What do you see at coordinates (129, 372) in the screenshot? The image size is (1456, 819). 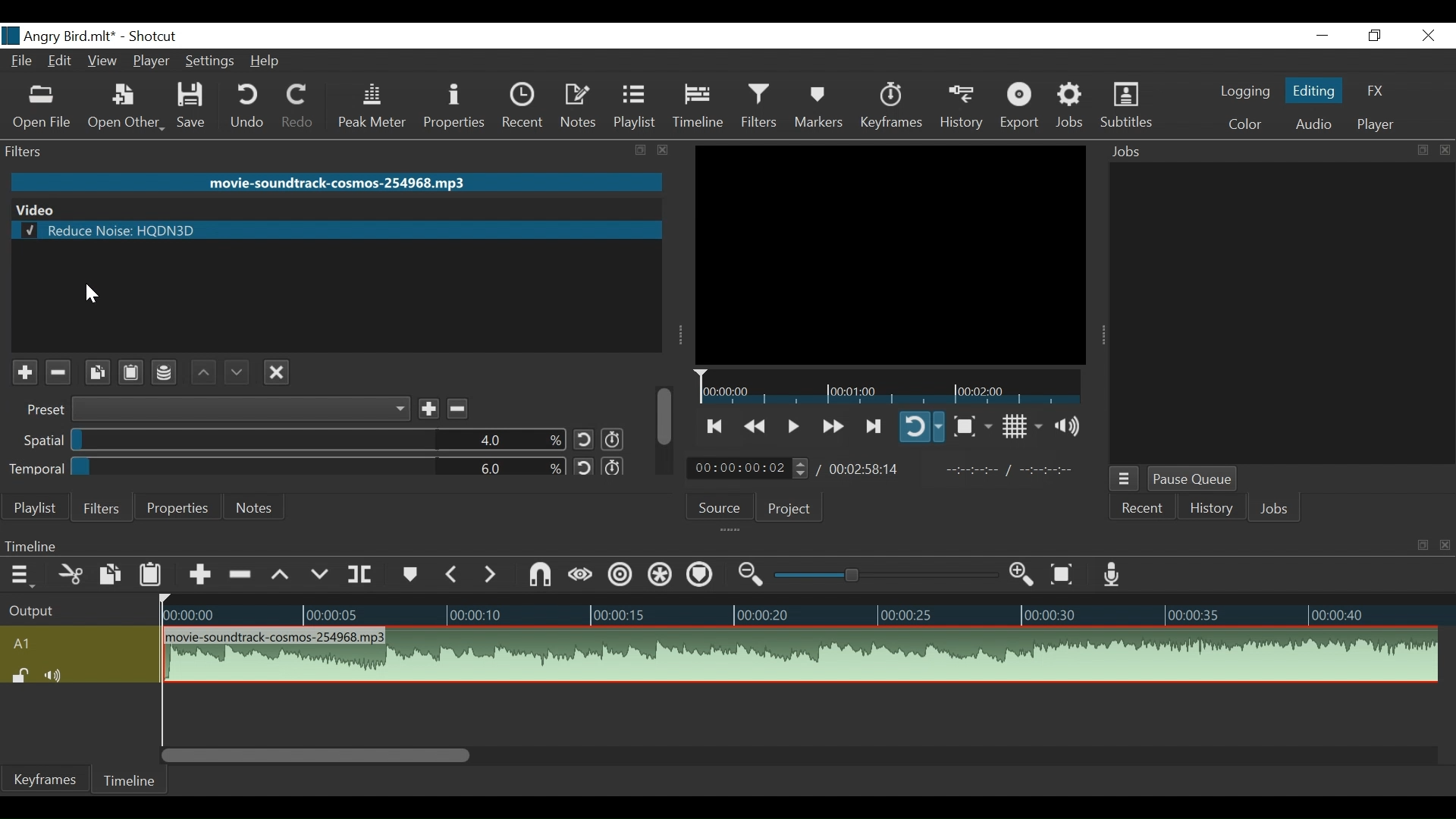 I see `Paste filter` at bounding box center [129, 372].